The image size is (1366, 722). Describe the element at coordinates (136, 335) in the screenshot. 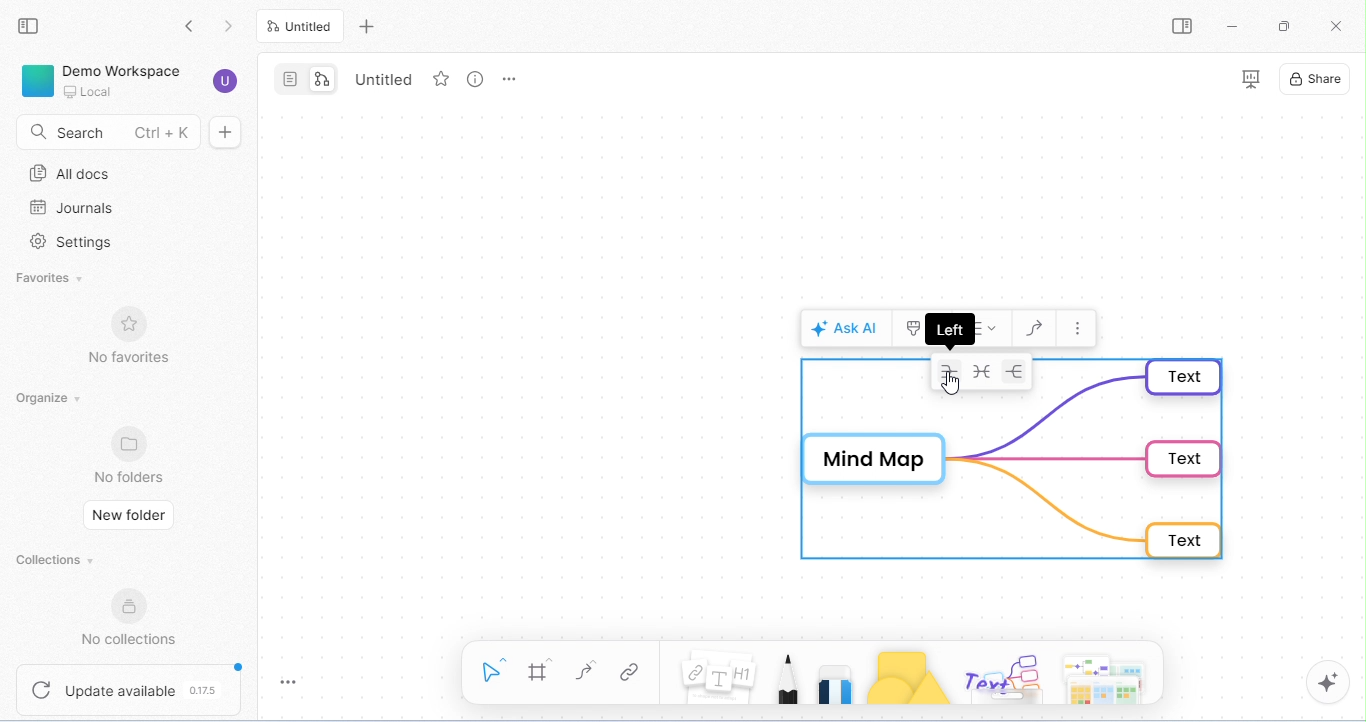

I see `no favorites` at that location.